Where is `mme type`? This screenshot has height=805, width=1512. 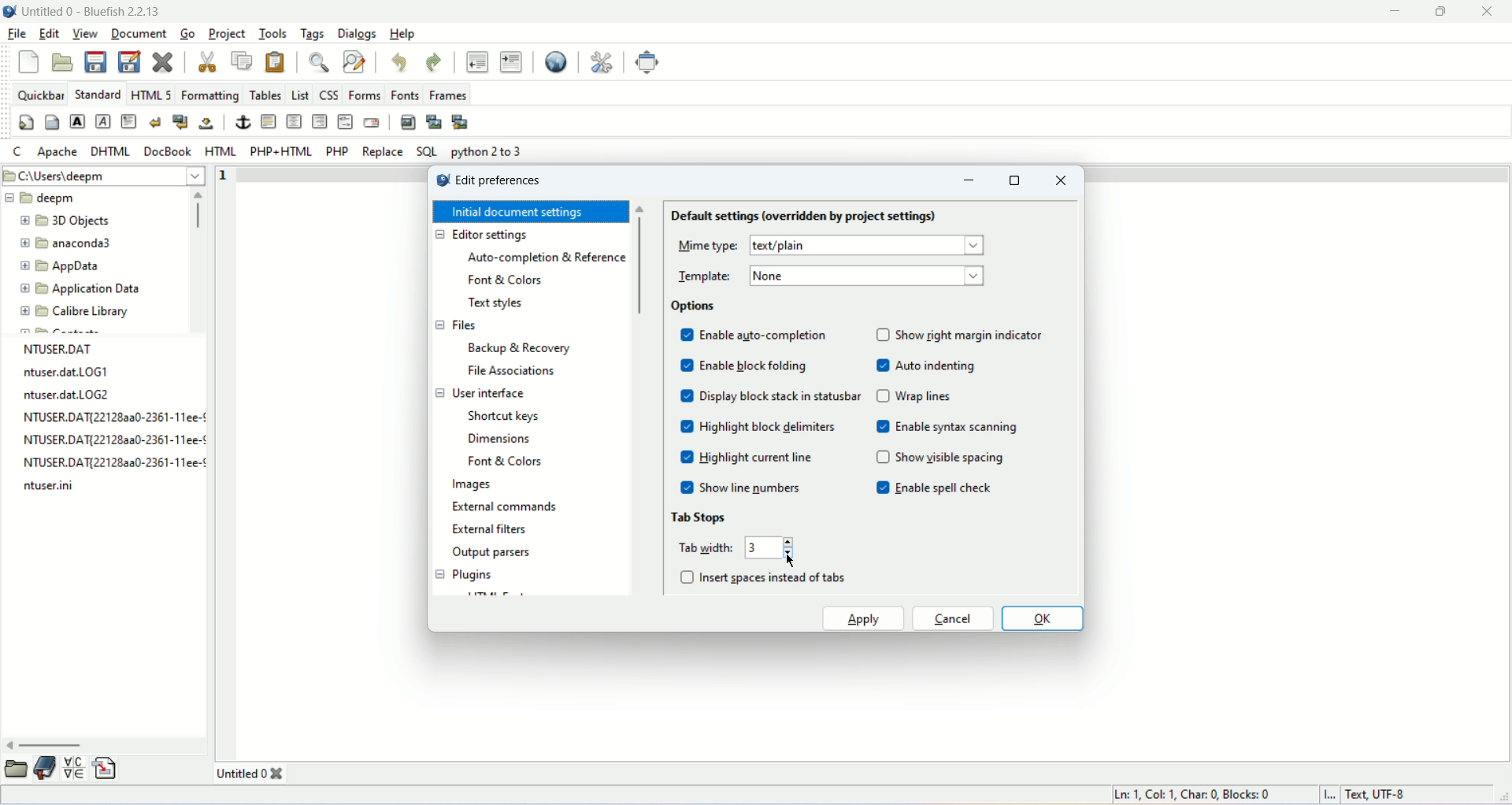 mme type is located at coordinates (702, 244).